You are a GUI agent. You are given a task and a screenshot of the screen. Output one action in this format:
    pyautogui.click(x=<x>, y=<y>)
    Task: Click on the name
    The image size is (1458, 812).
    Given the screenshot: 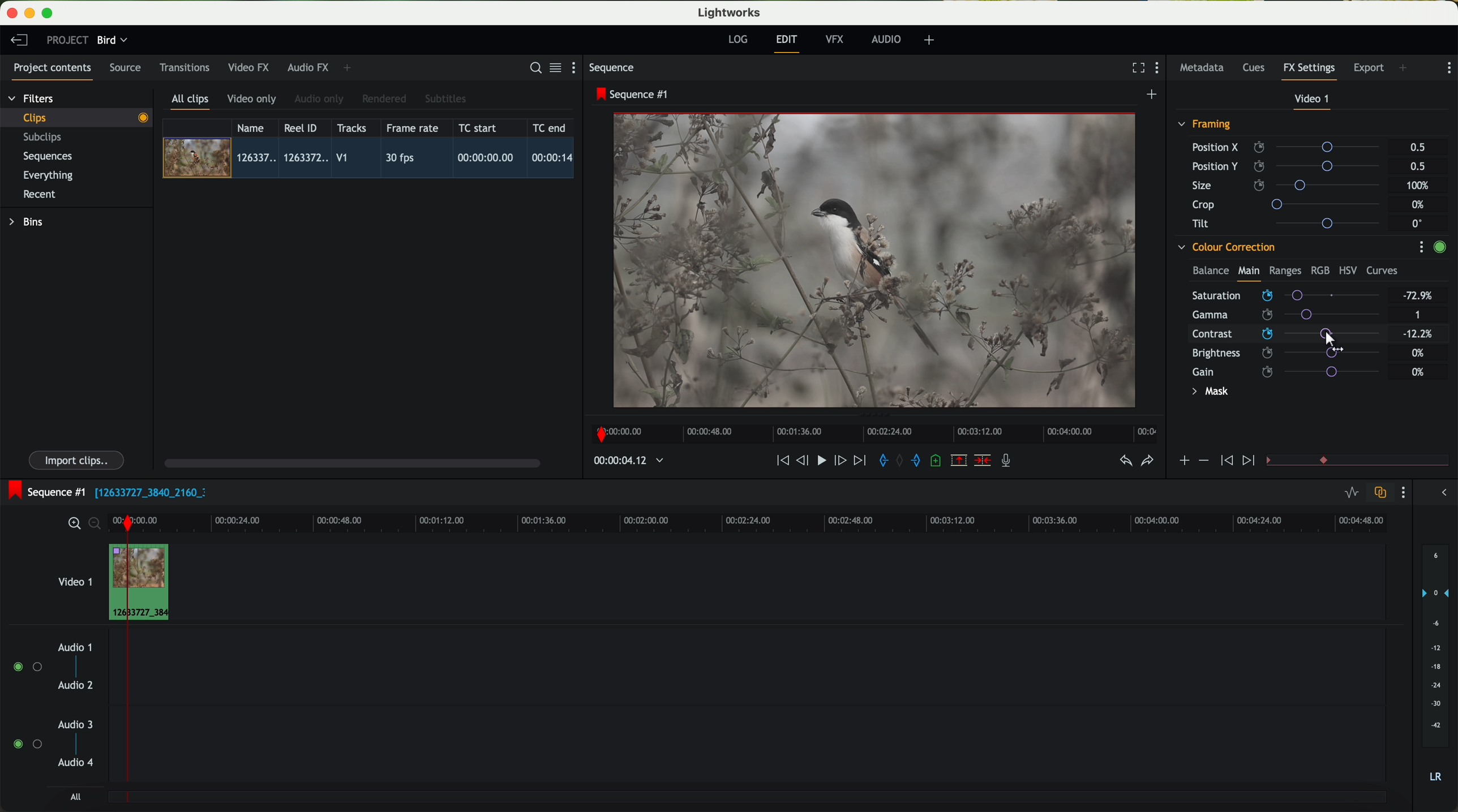 What is the action you would take?
    pyautogui.click(x=255, y=128)
    